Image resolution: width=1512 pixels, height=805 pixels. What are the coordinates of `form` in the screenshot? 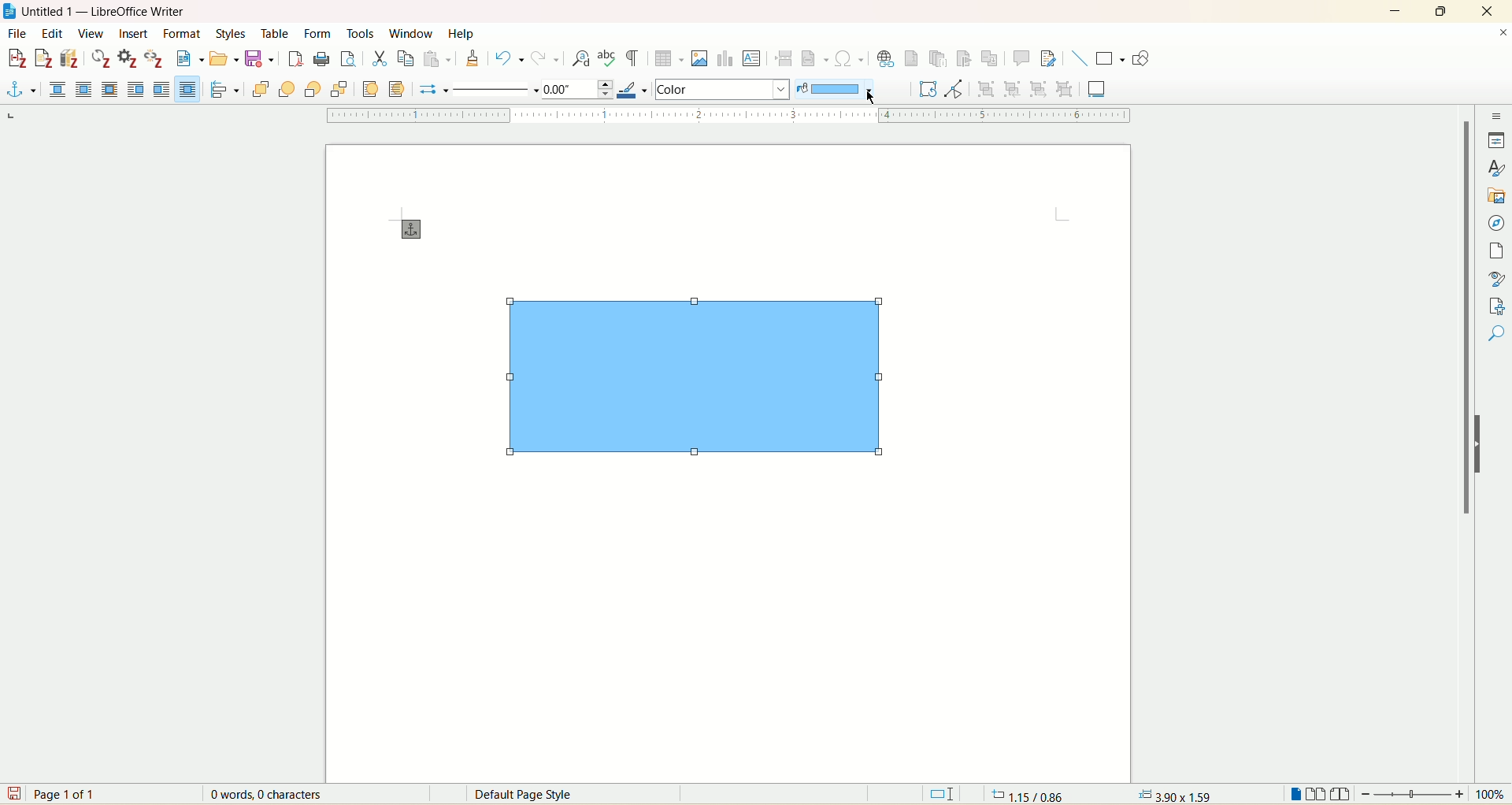 It's located at (319, 33).